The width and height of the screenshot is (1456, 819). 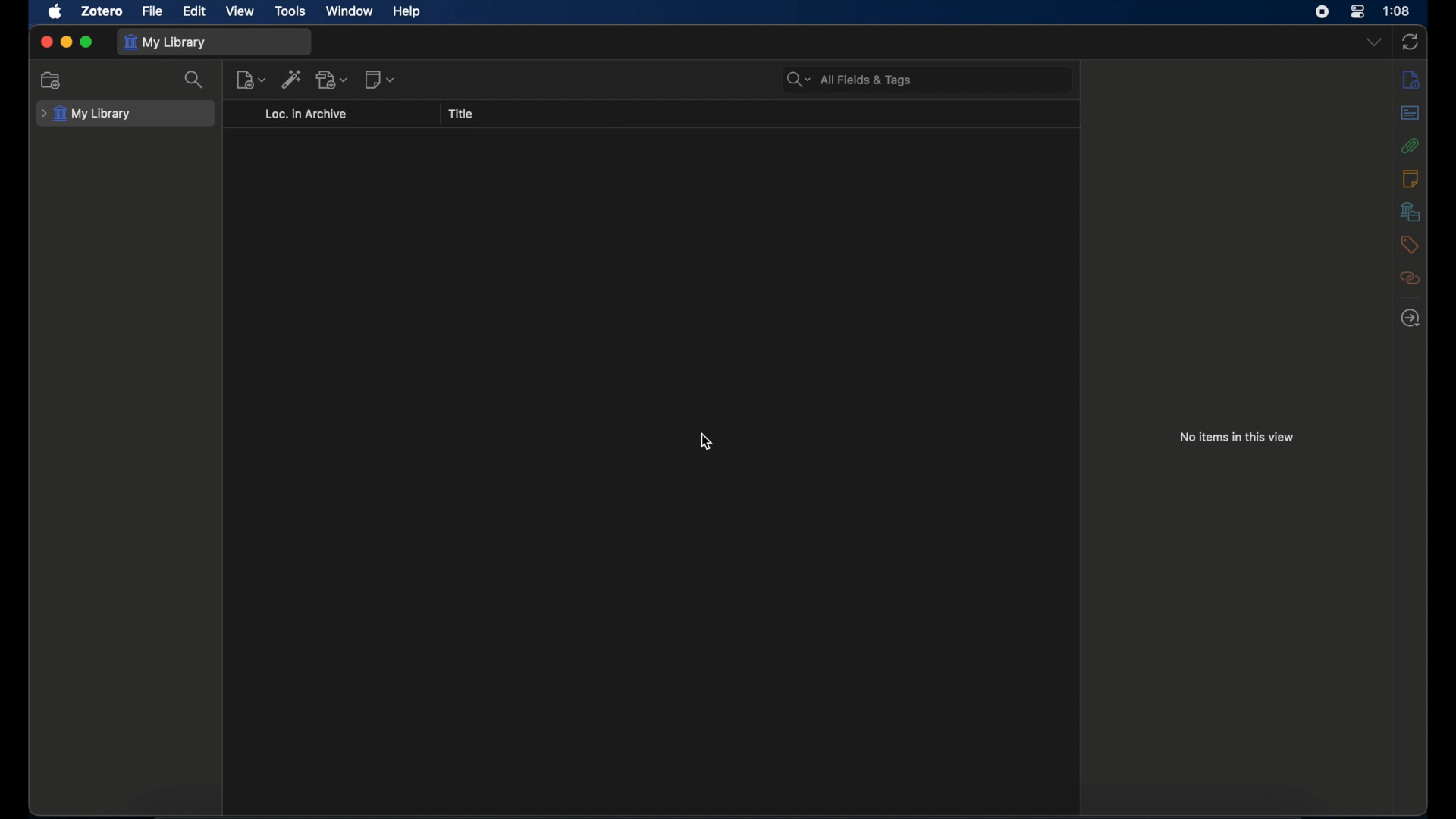 What do you see at coordinates (1411, 278) in the screenshot?
I see `related` at bounding box center [1411, 278].